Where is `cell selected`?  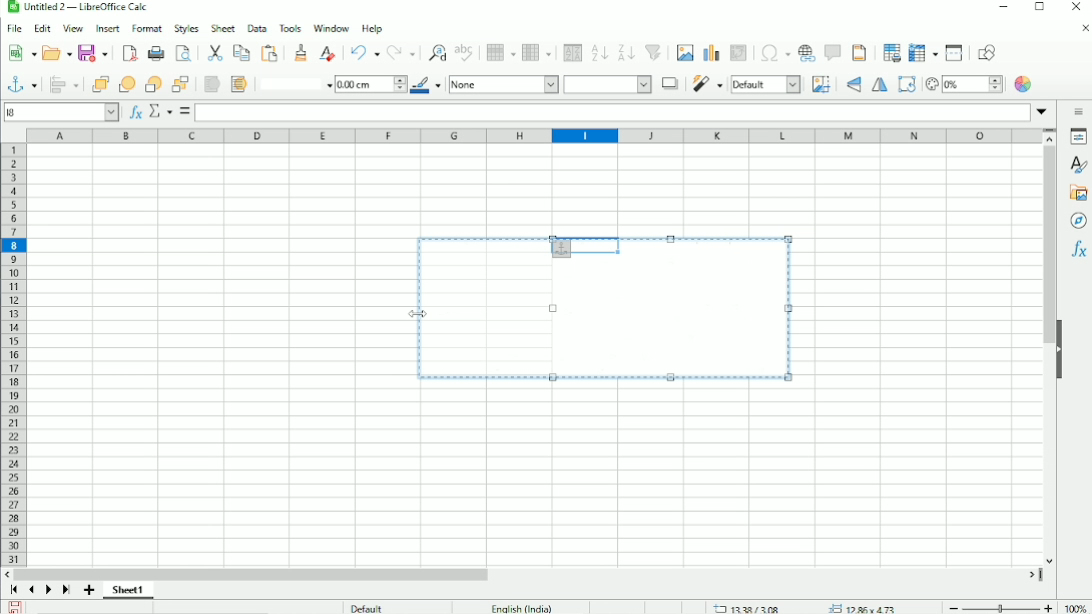 cell selected is located at coordinates (577, 244).